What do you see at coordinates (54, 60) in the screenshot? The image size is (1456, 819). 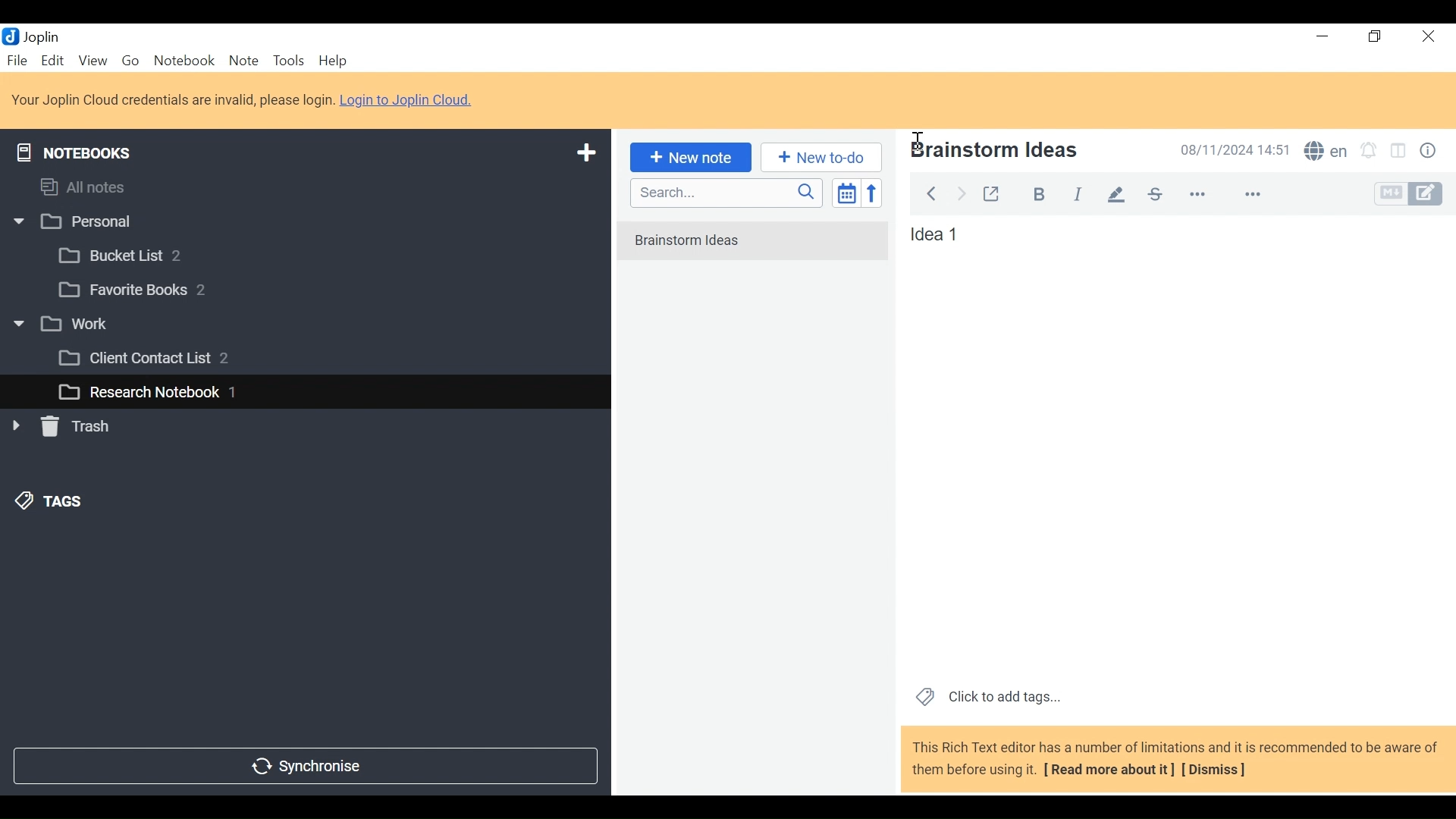 I see `Edit` at bounding box center [54, 60].